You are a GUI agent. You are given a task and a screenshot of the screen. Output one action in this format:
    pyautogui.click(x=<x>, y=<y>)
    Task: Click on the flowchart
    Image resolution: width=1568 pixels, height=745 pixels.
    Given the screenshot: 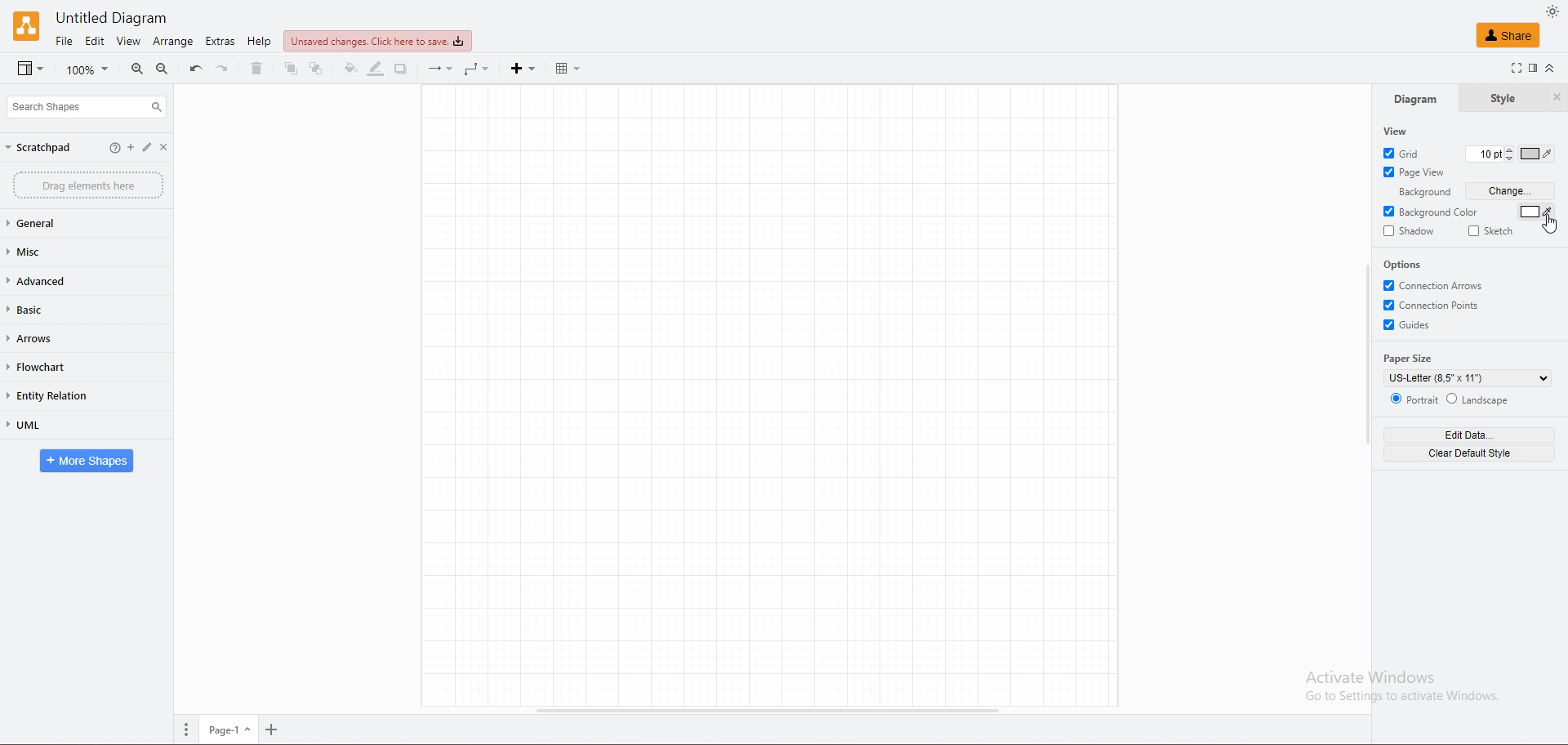 What is the action you would take?
    pyautogui.click(x=72, y=367)
    